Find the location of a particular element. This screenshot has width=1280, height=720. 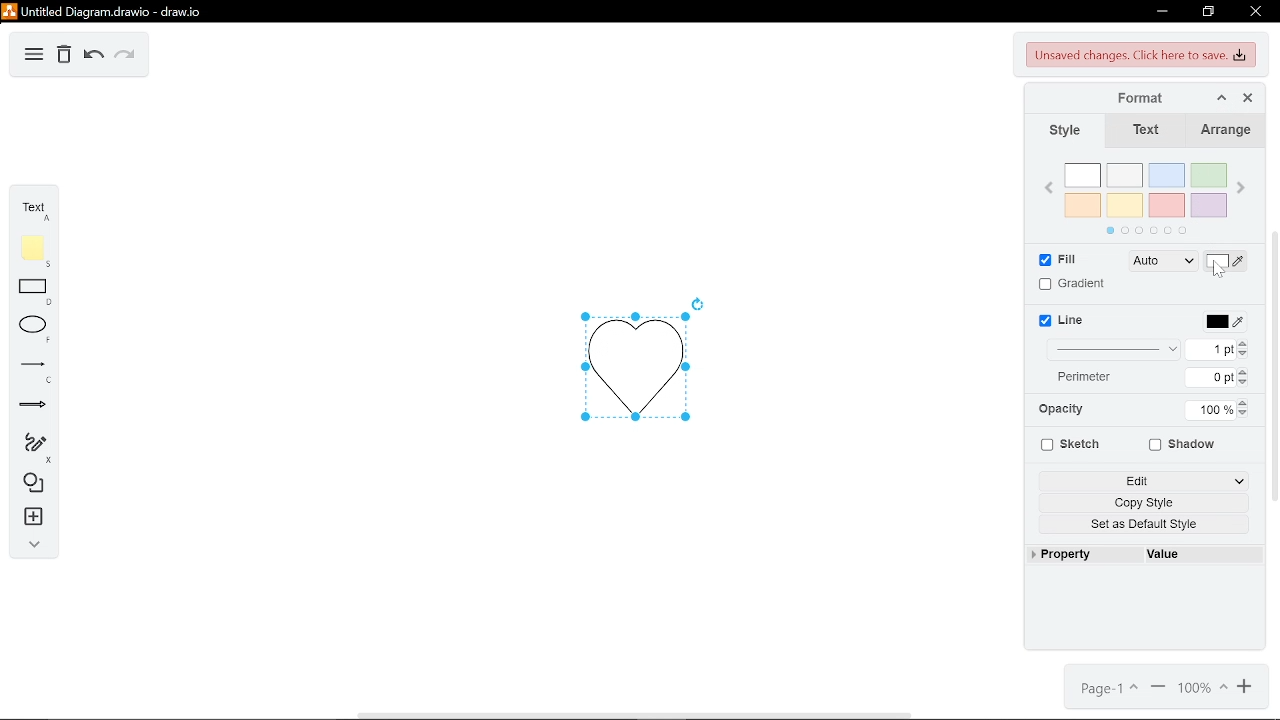

zoom in is located at coordinates (1246, 687).